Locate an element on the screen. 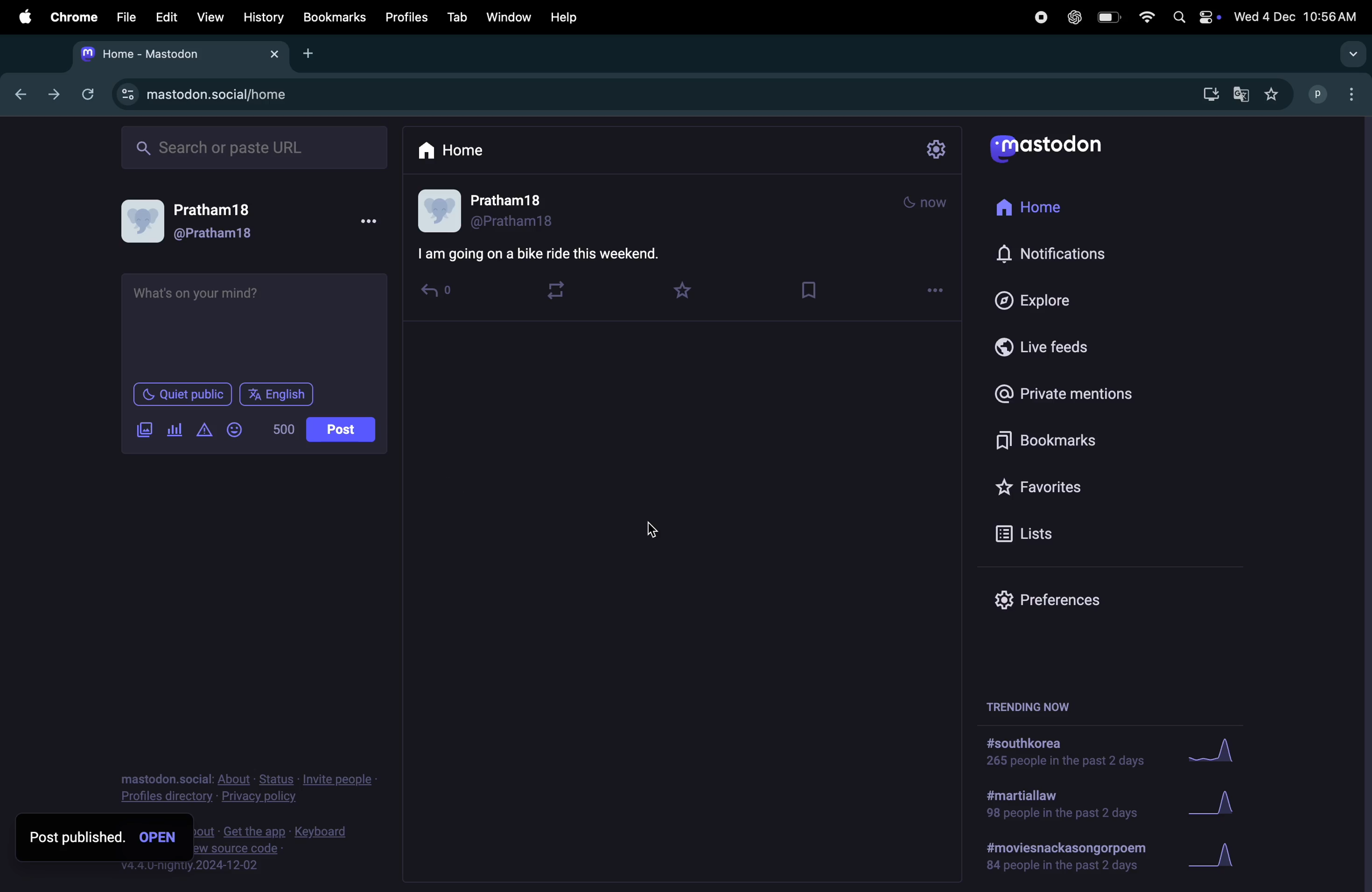  Prefrences is located at coordinates (1058, 599).